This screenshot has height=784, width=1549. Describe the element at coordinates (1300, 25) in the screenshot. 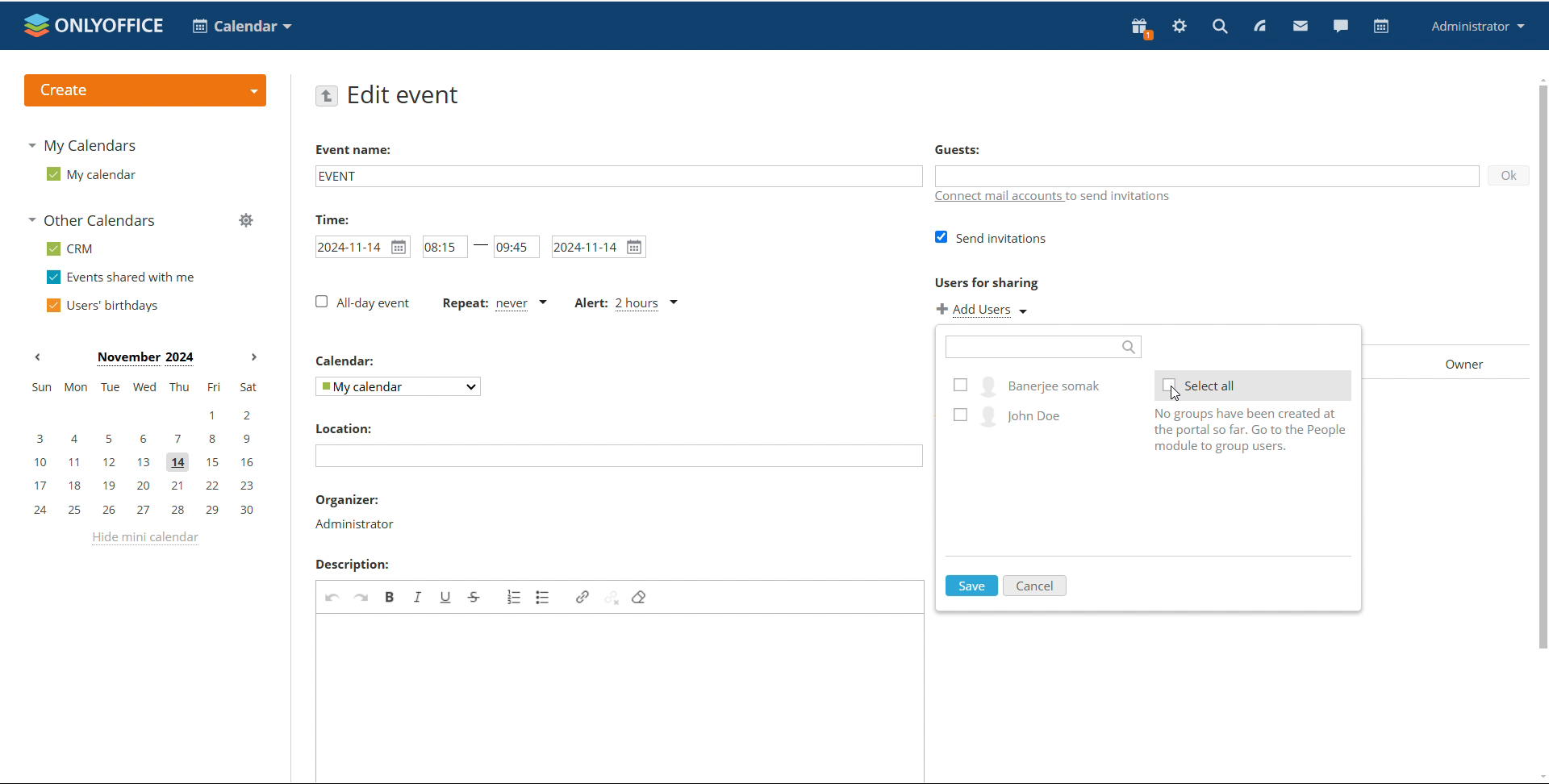

I see `mail` at that location.